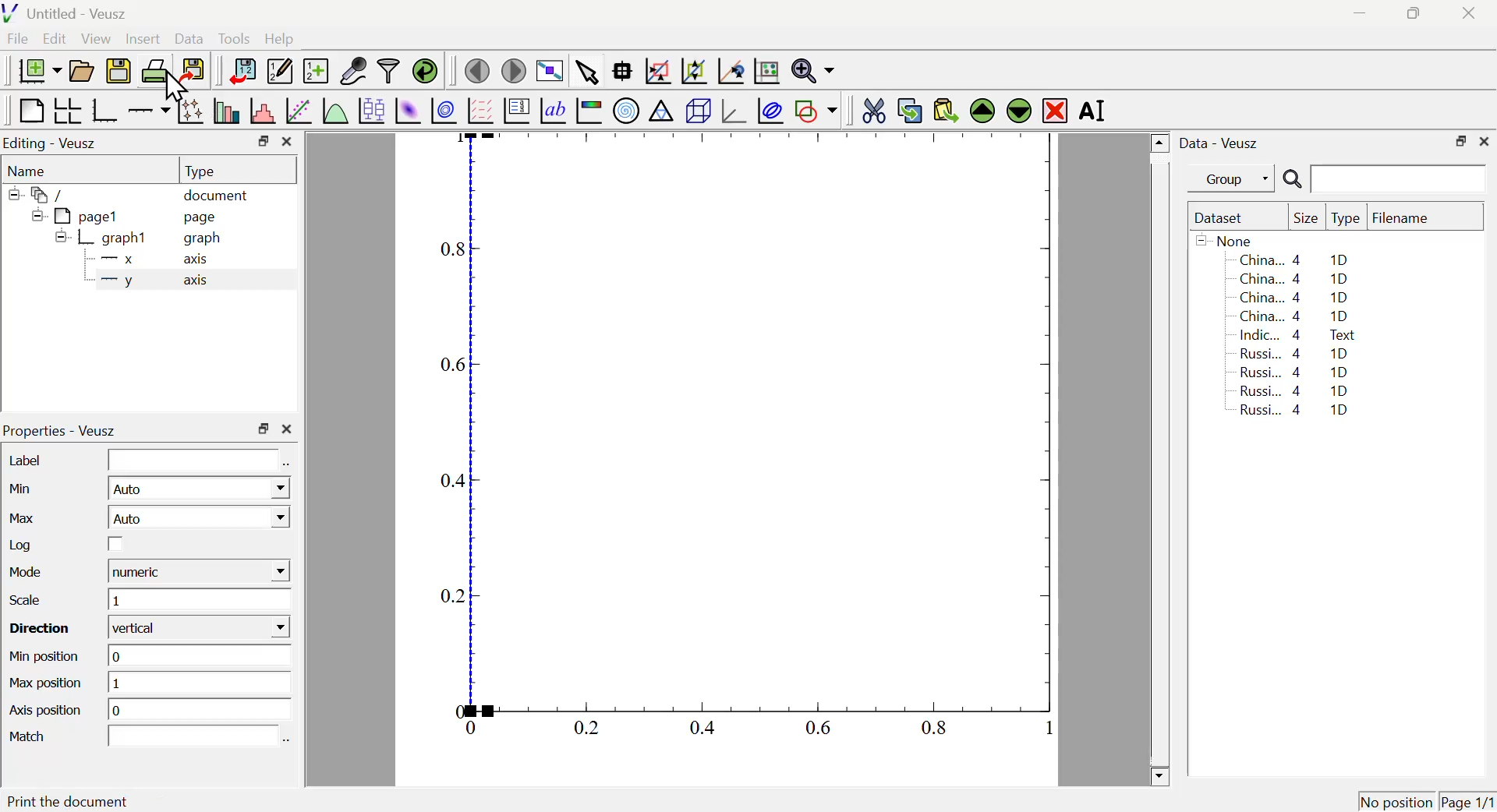  What do you see at coordinates (23, 545) in the screenshot?
I see `Log` at bounding box center [23, 545].